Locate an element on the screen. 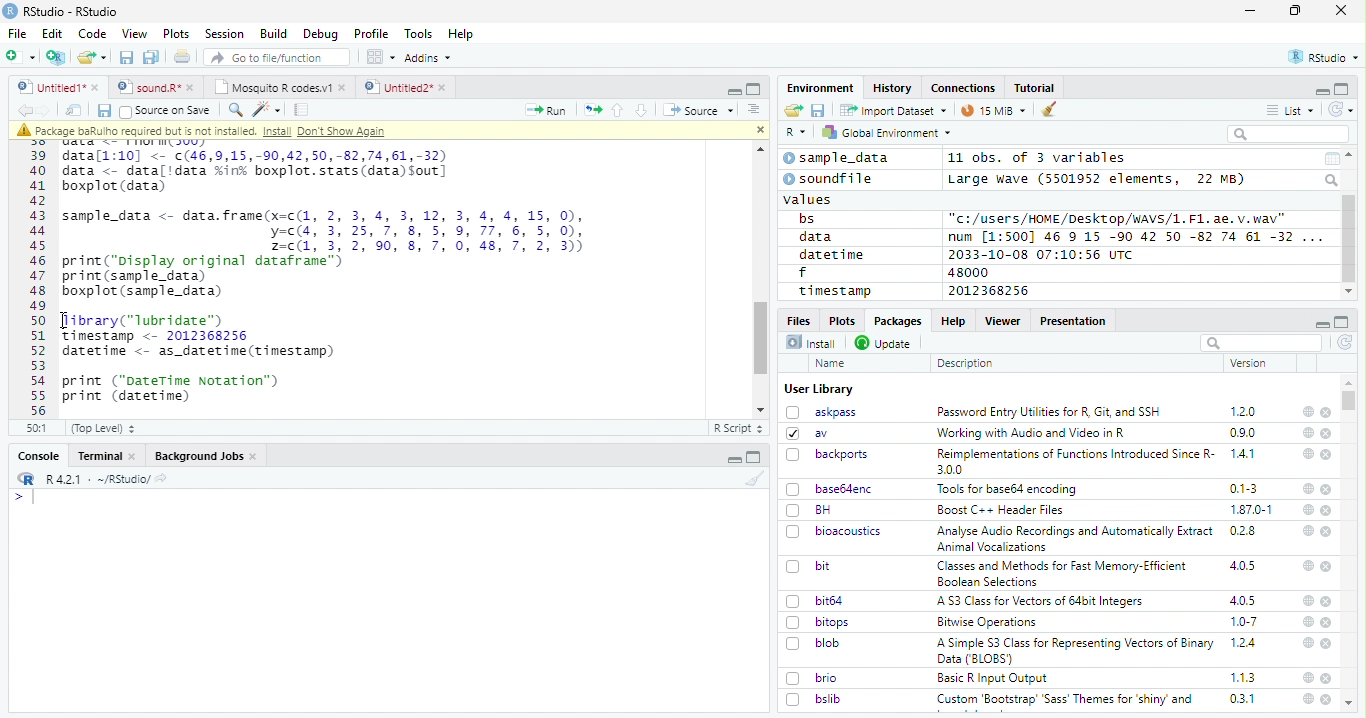 This screenshot has height=718, width=1366. full screen is located at coordinates (1342, 89).